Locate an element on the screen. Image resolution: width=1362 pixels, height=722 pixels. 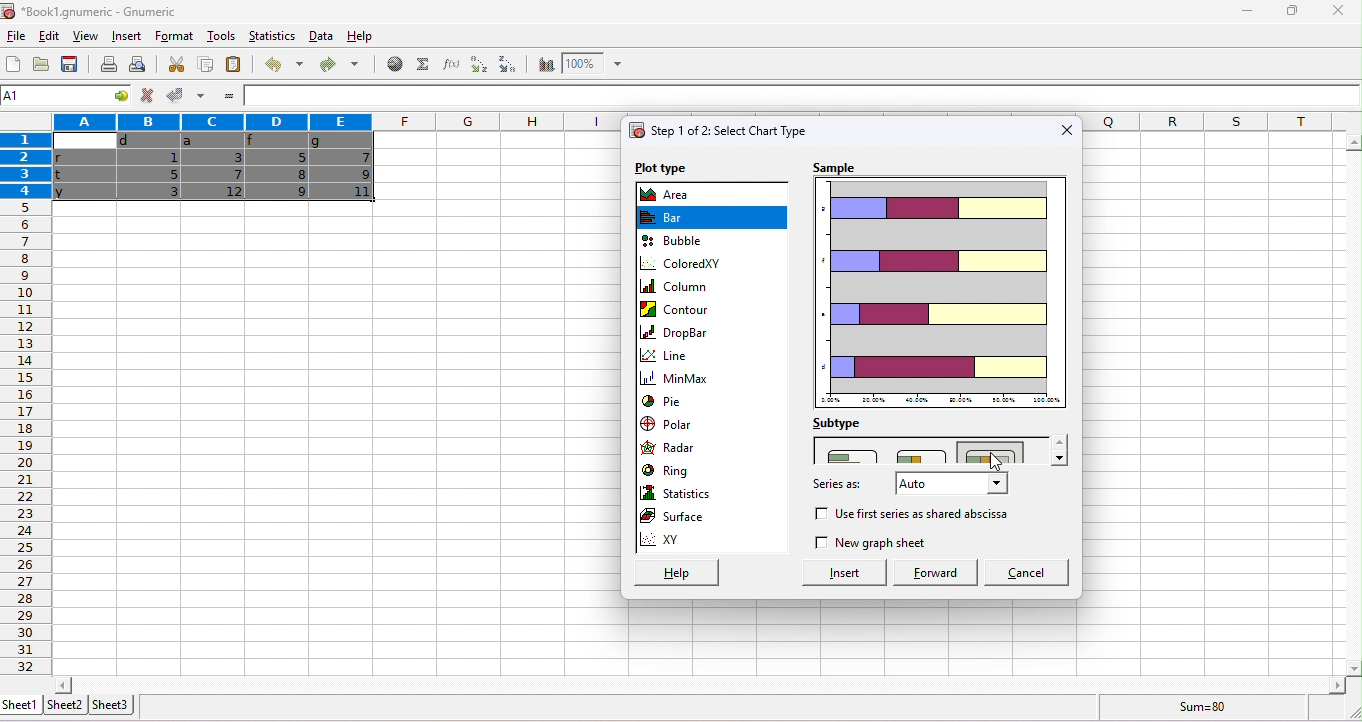
polar is located at coordinates (677, 425).